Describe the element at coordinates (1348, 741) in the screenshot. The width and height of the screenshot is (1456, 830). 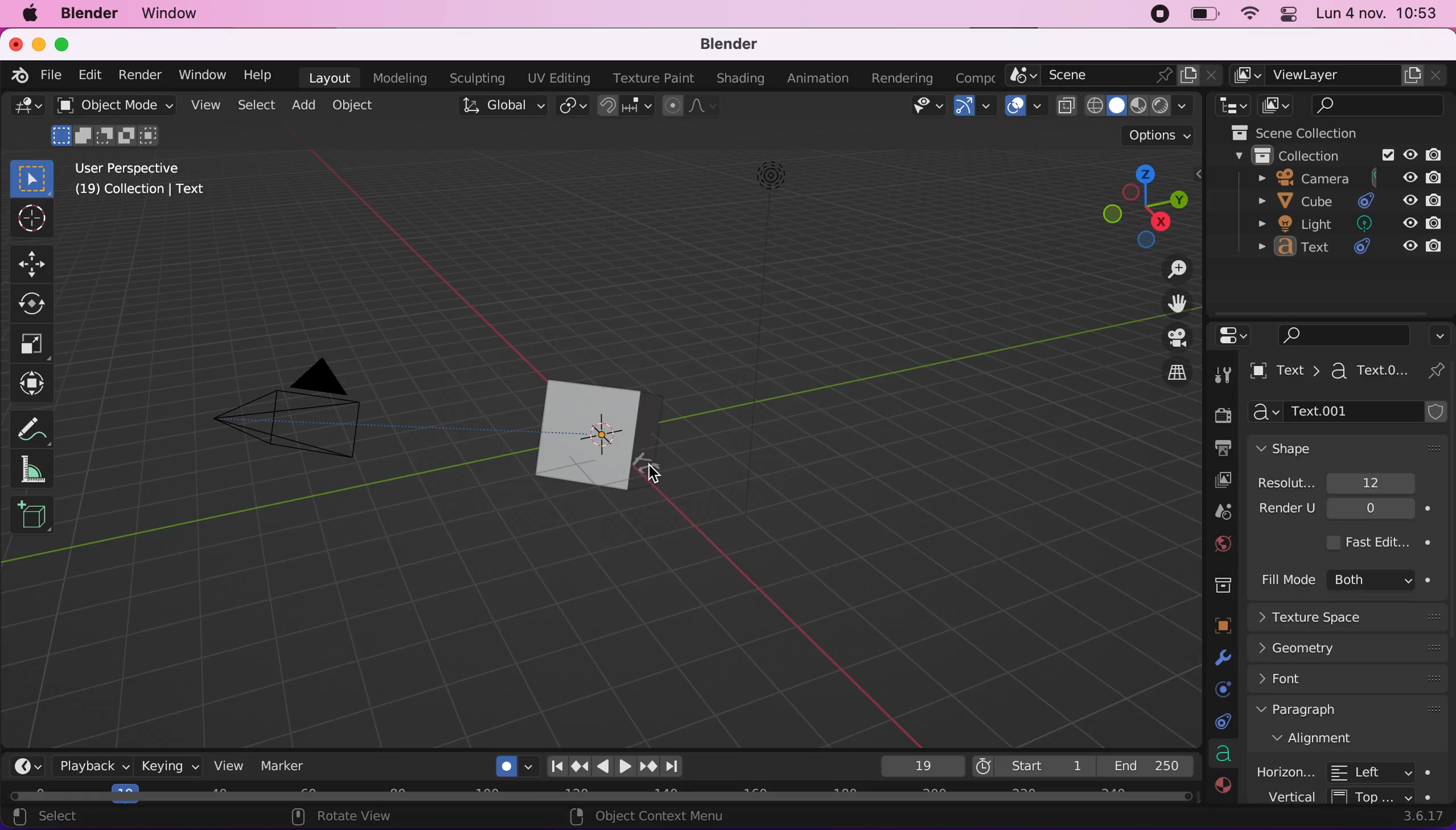
I see `alignment` at that location.